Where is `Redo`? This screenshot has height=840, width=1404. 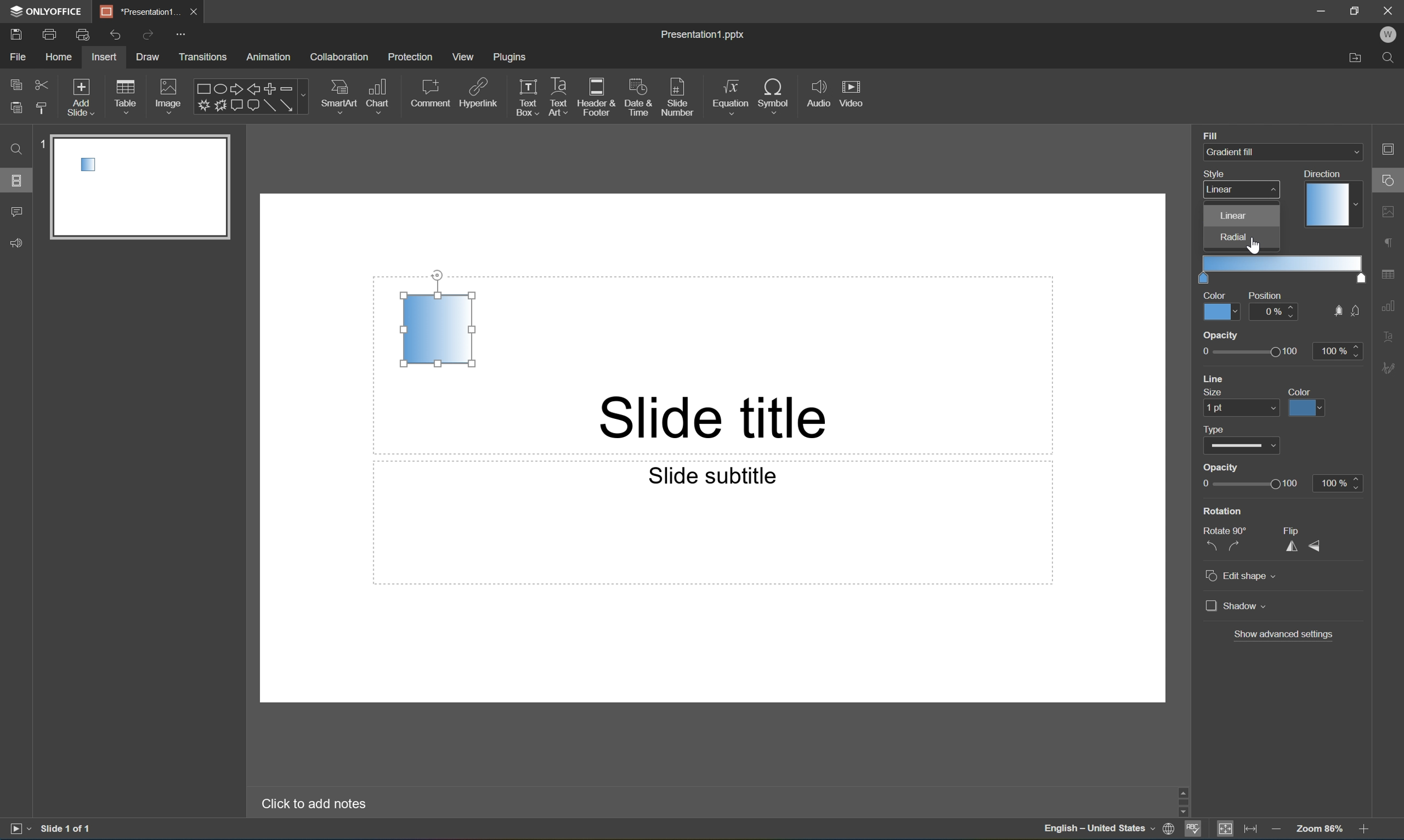 Redo is located at coordinates (147, 36).